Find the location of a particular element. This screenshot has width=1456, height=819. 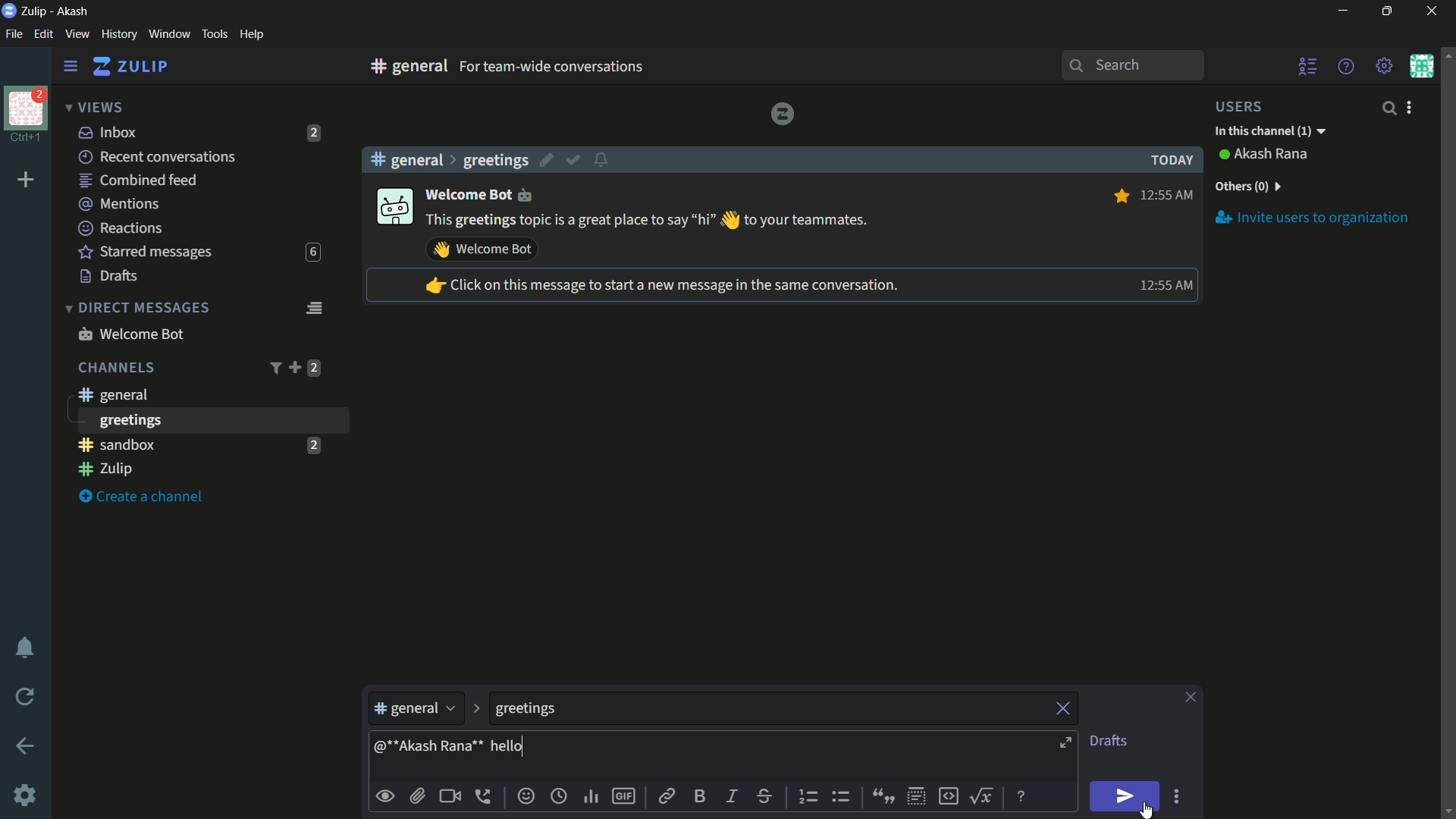

in this channel is located at coordinates (1270, 132).